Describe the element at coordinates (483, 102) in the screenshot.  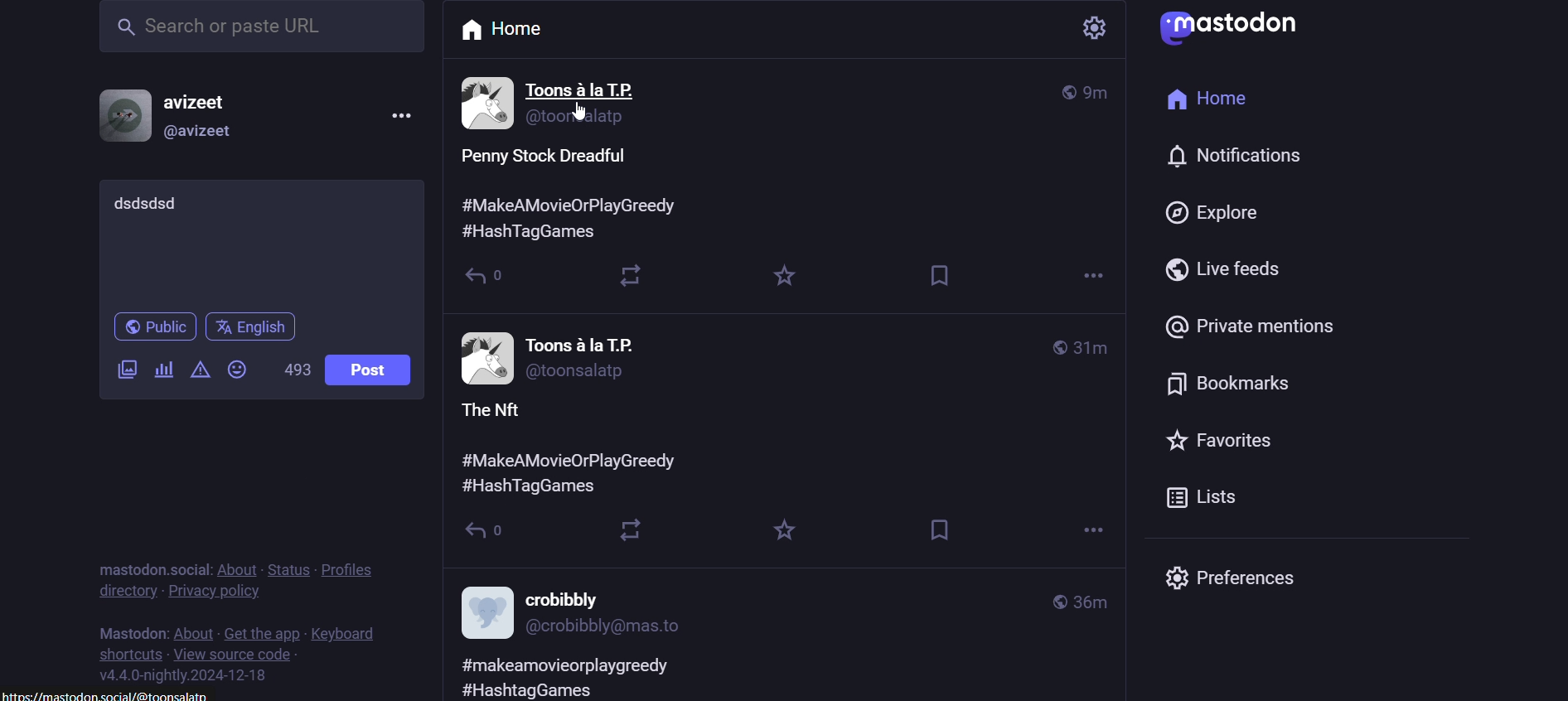
I see `user information` at that location.